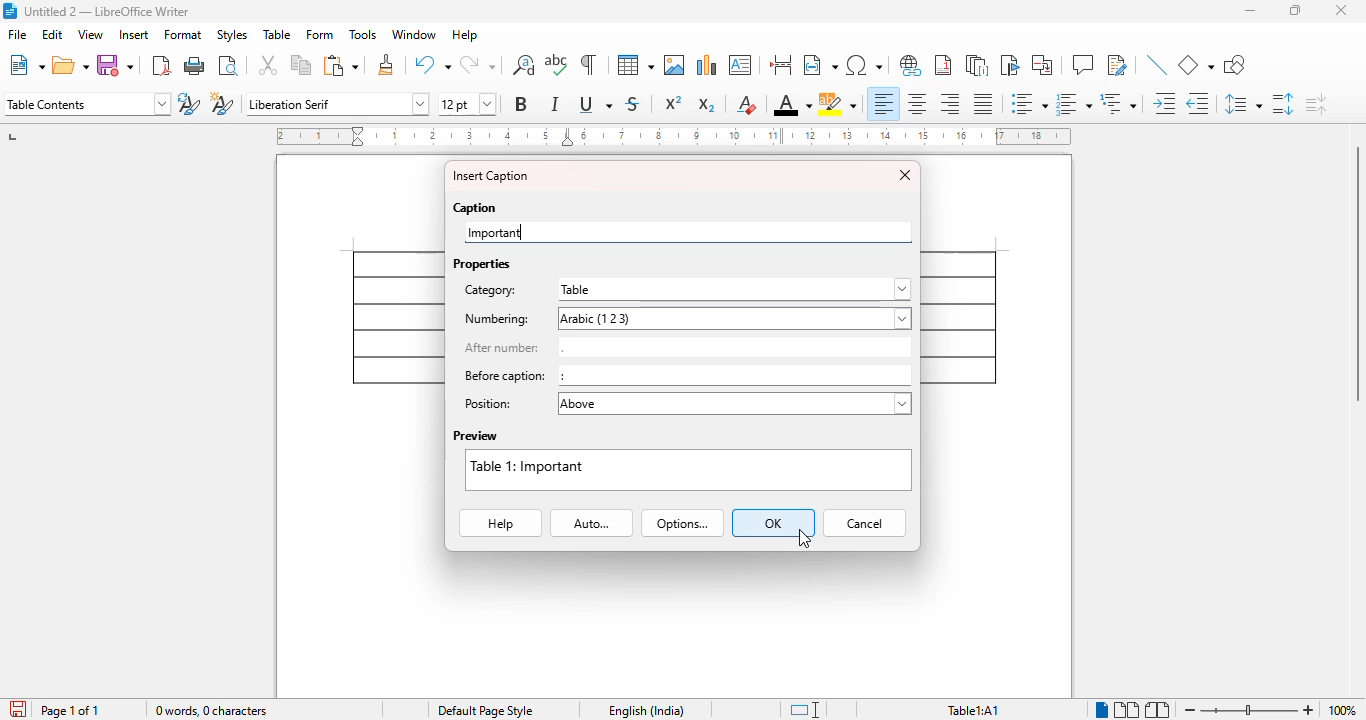 Image resolution: width=1366 pixels, height=720 pixels. Describe the element at coordinates (910, 65) in the screenshot. I see `insert hyperlink` at that location.